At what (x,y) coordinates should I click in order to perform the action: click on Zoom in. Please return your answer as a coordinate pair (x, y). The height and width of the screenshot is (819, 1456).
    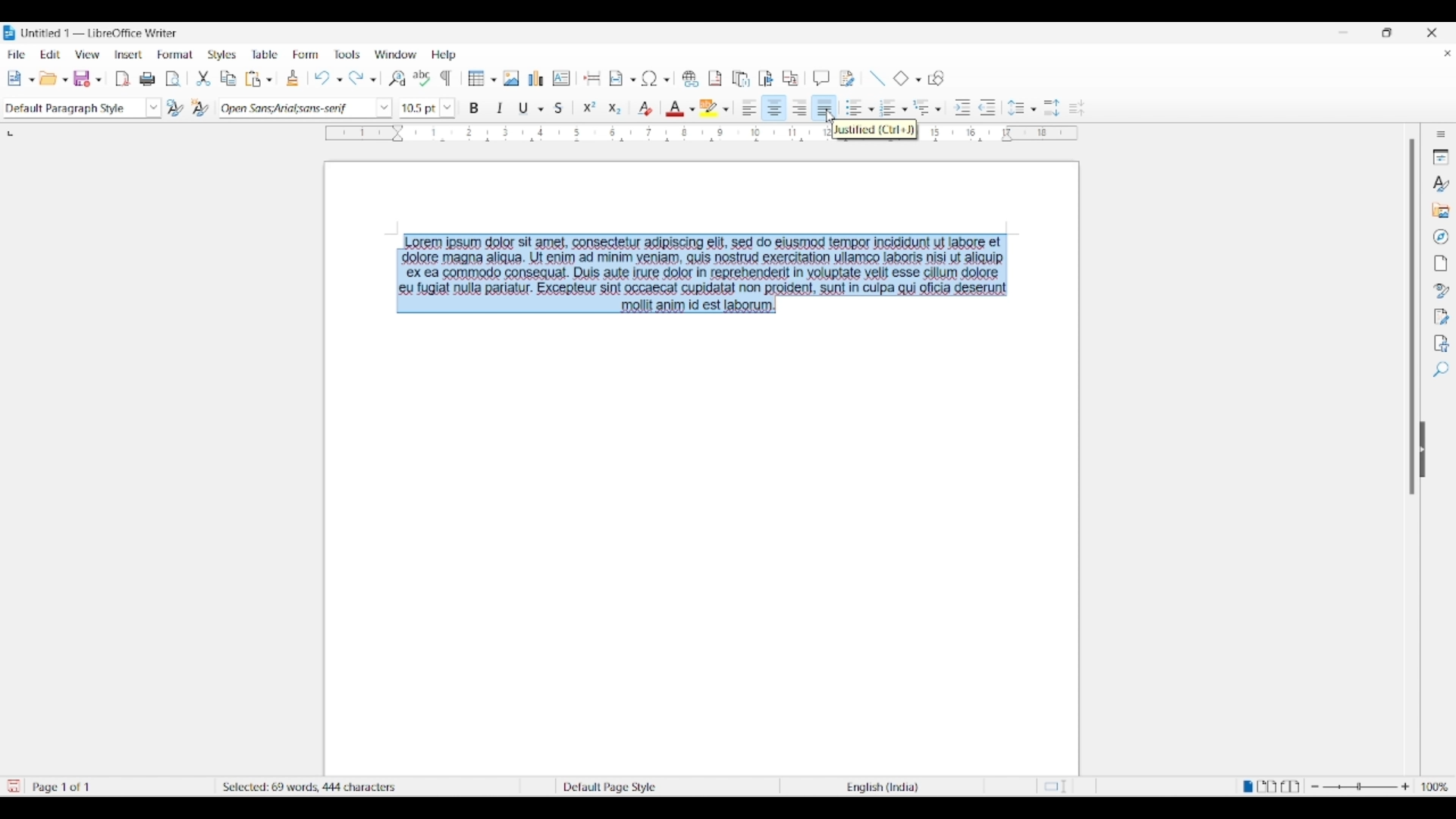
    Looking at the image, I should click on (1405, 786).